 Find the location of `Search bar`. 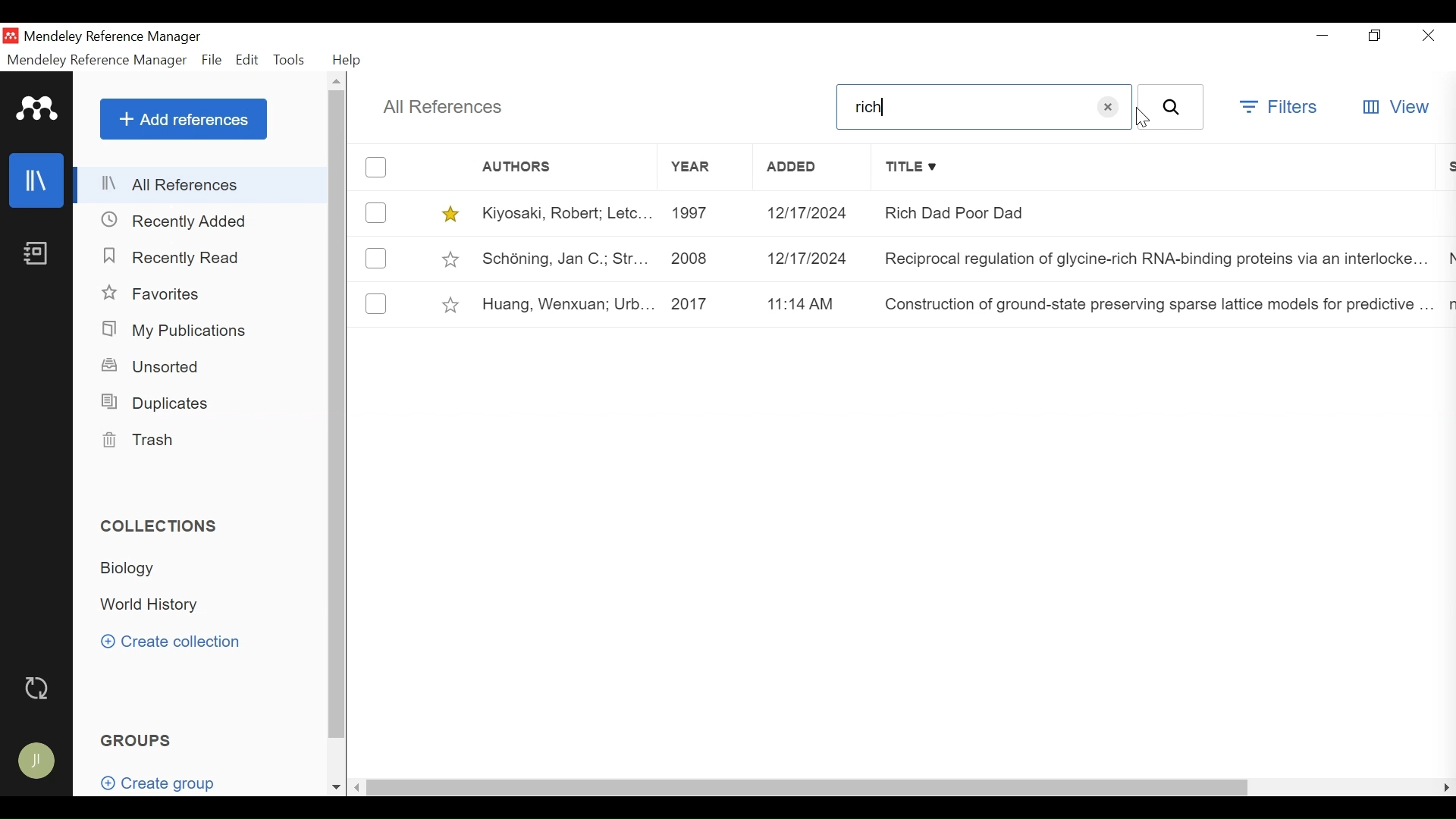

Search bar is located at coordinates (984, 108).